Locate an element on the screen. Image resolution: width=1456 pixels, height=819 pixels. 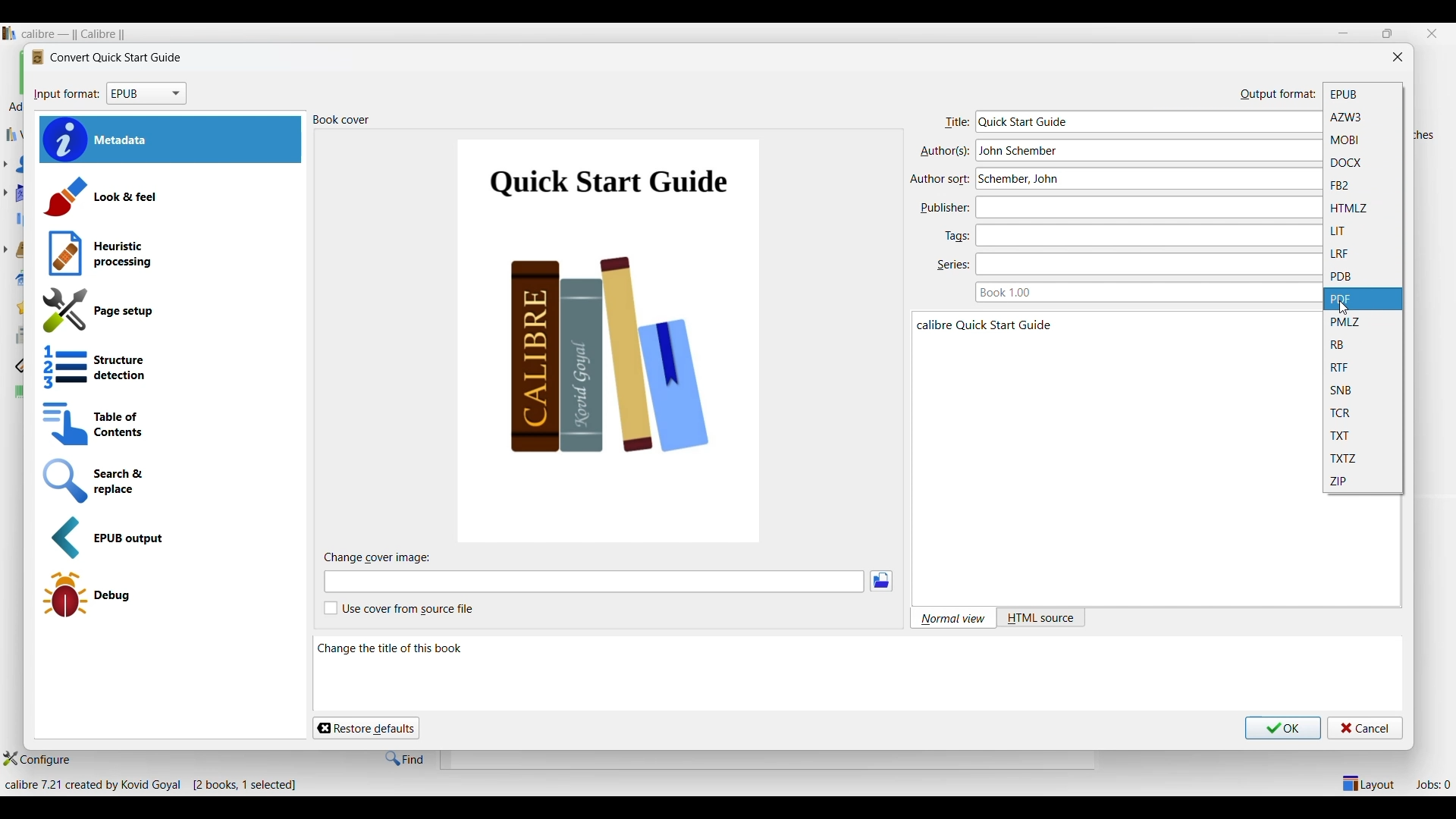
MOBI is located at coordinates (1363, 140).